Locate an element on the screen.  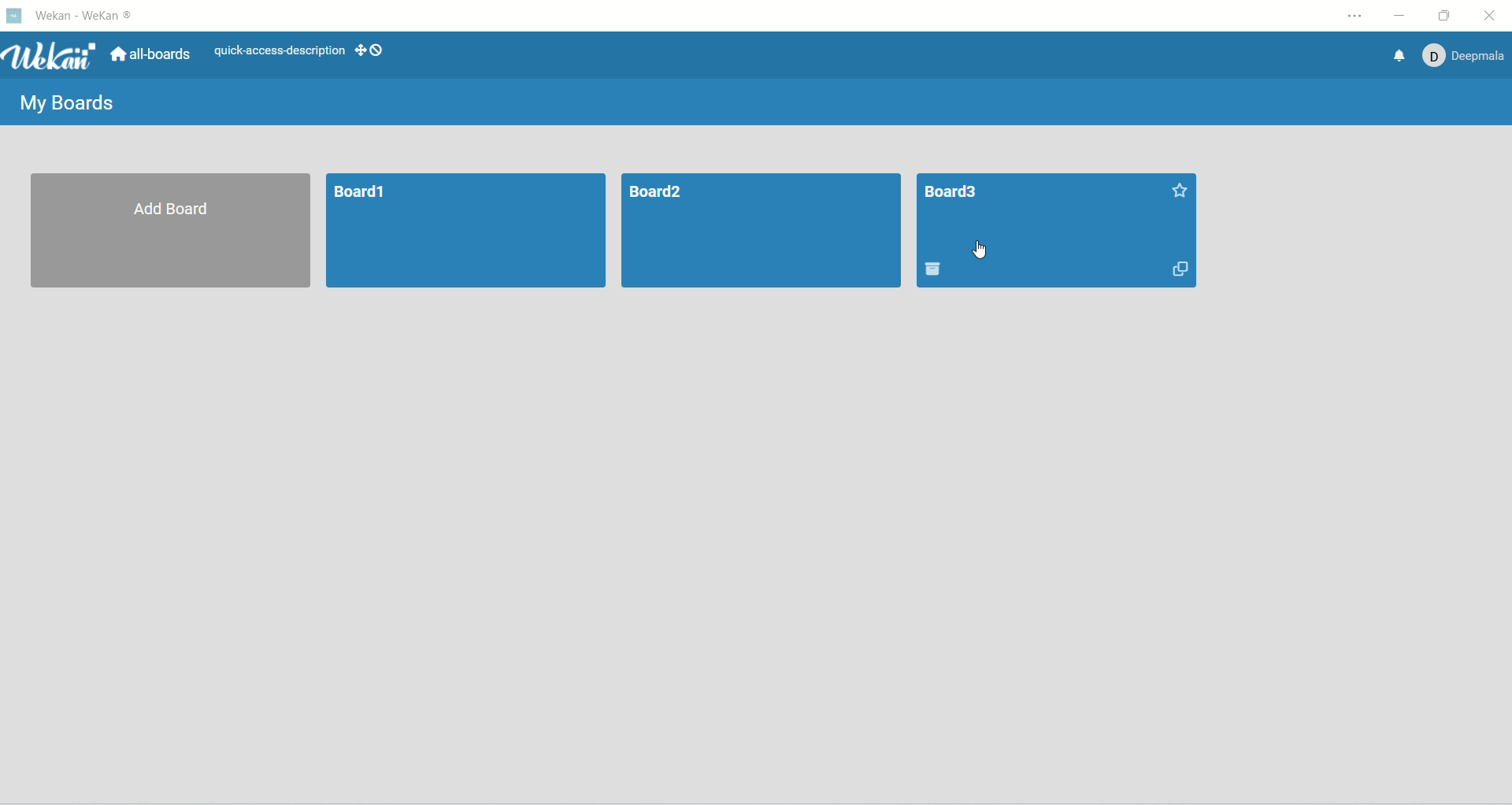
logo is located at coordinates (16, 18).